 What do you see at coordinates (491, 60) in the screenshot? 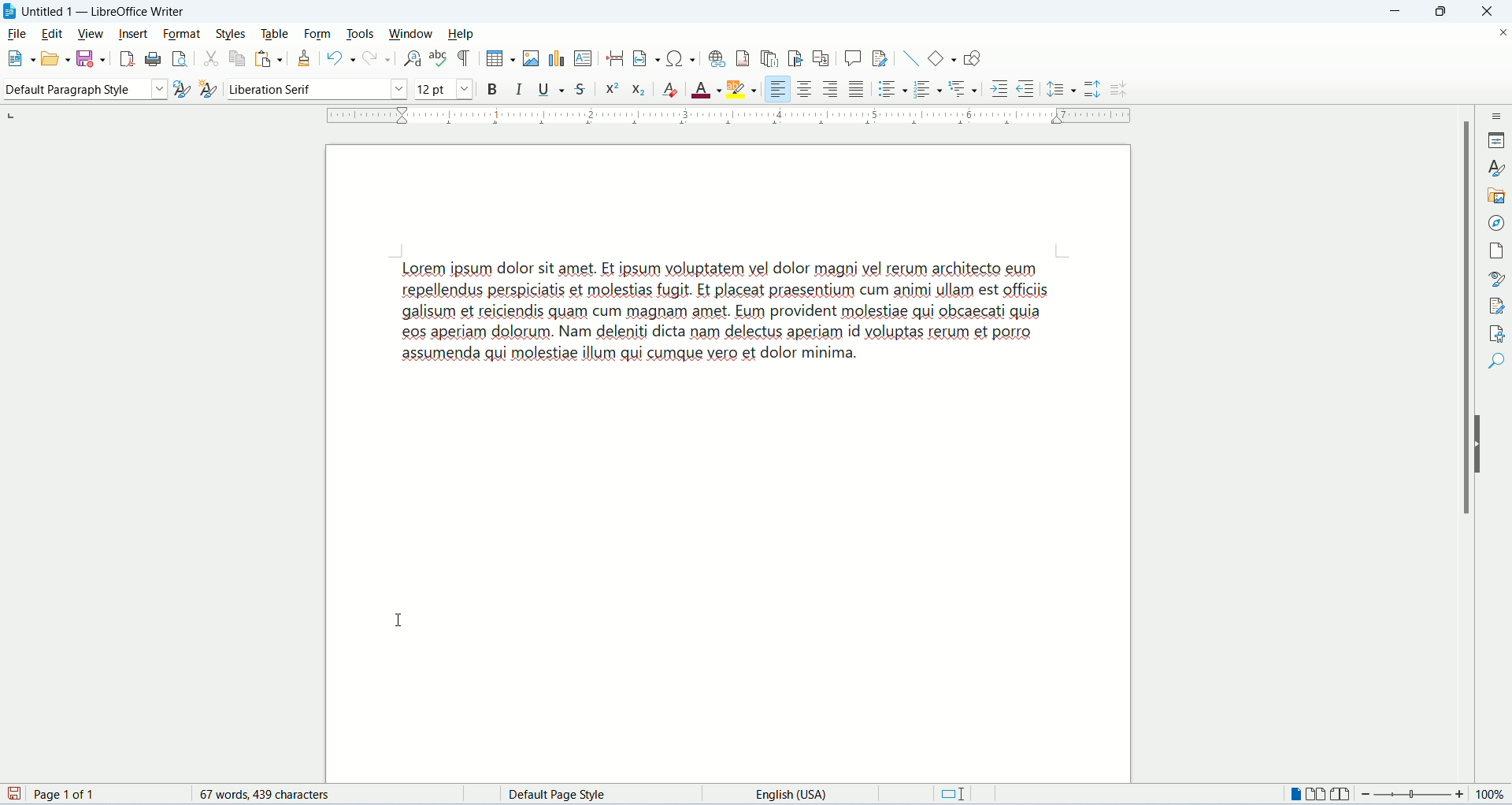
I see `insert table` at bounding box center [491, 60].